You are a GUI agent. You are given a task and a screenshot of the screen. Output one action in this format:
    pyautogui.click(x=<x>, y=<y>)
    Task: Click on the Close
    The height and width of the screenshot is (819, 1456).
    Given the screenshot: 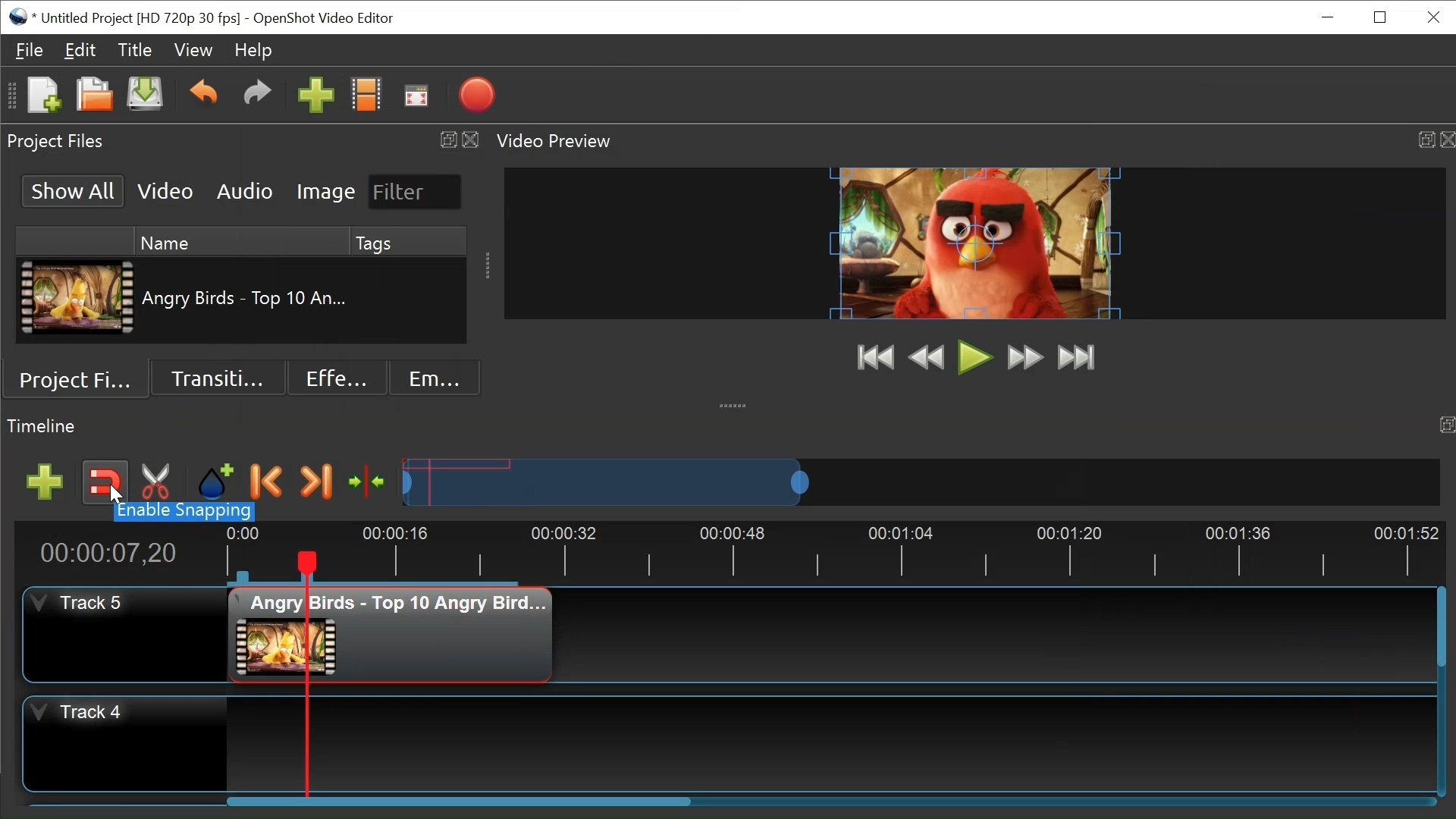 What is the action you would take?
    pyautogui.click(x=1381, y=17)
    